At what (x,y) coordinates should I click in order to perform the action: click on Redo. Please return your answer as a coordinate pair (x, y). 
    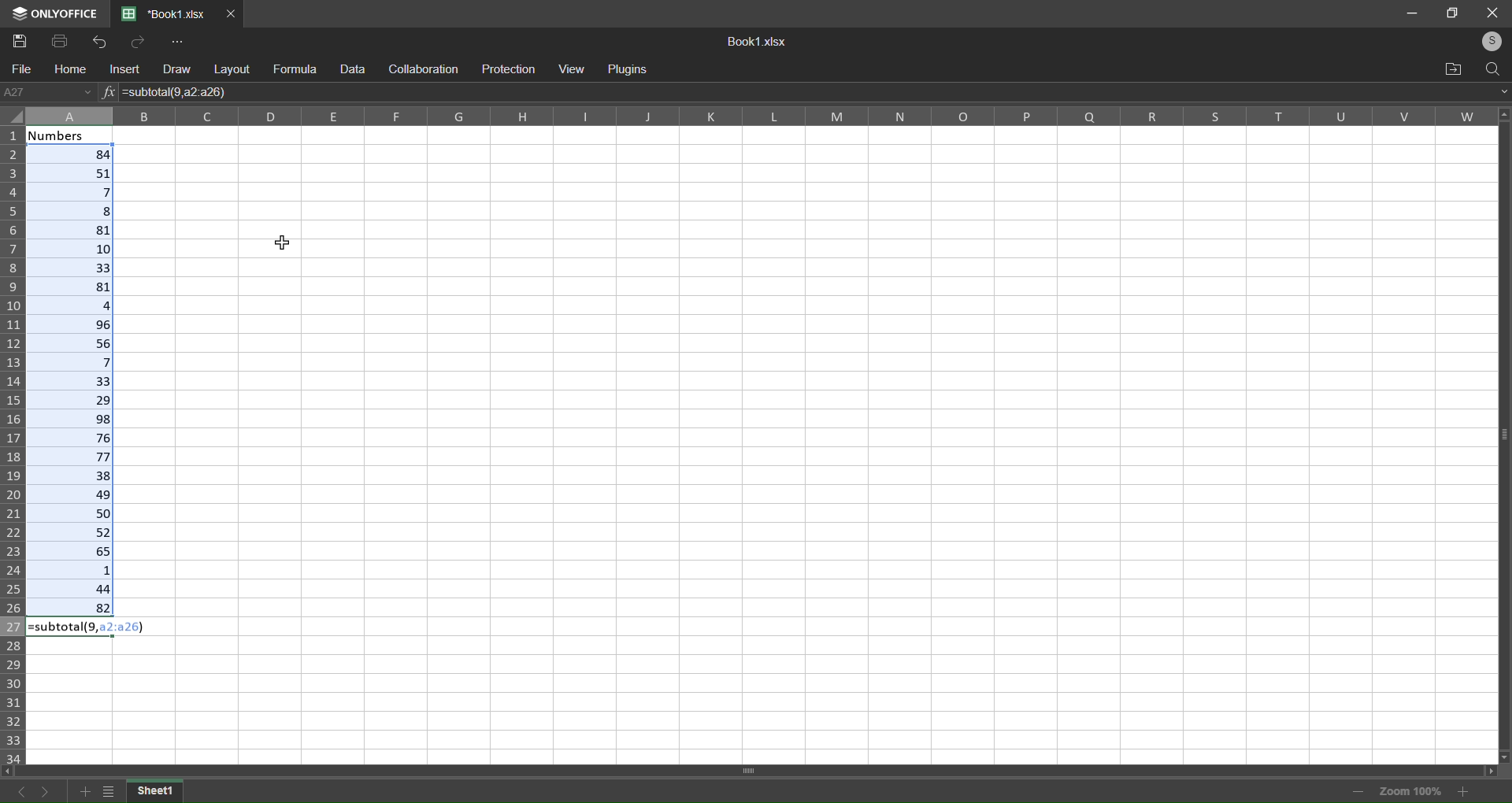
    Looking at the image, I should click on (139, 42).